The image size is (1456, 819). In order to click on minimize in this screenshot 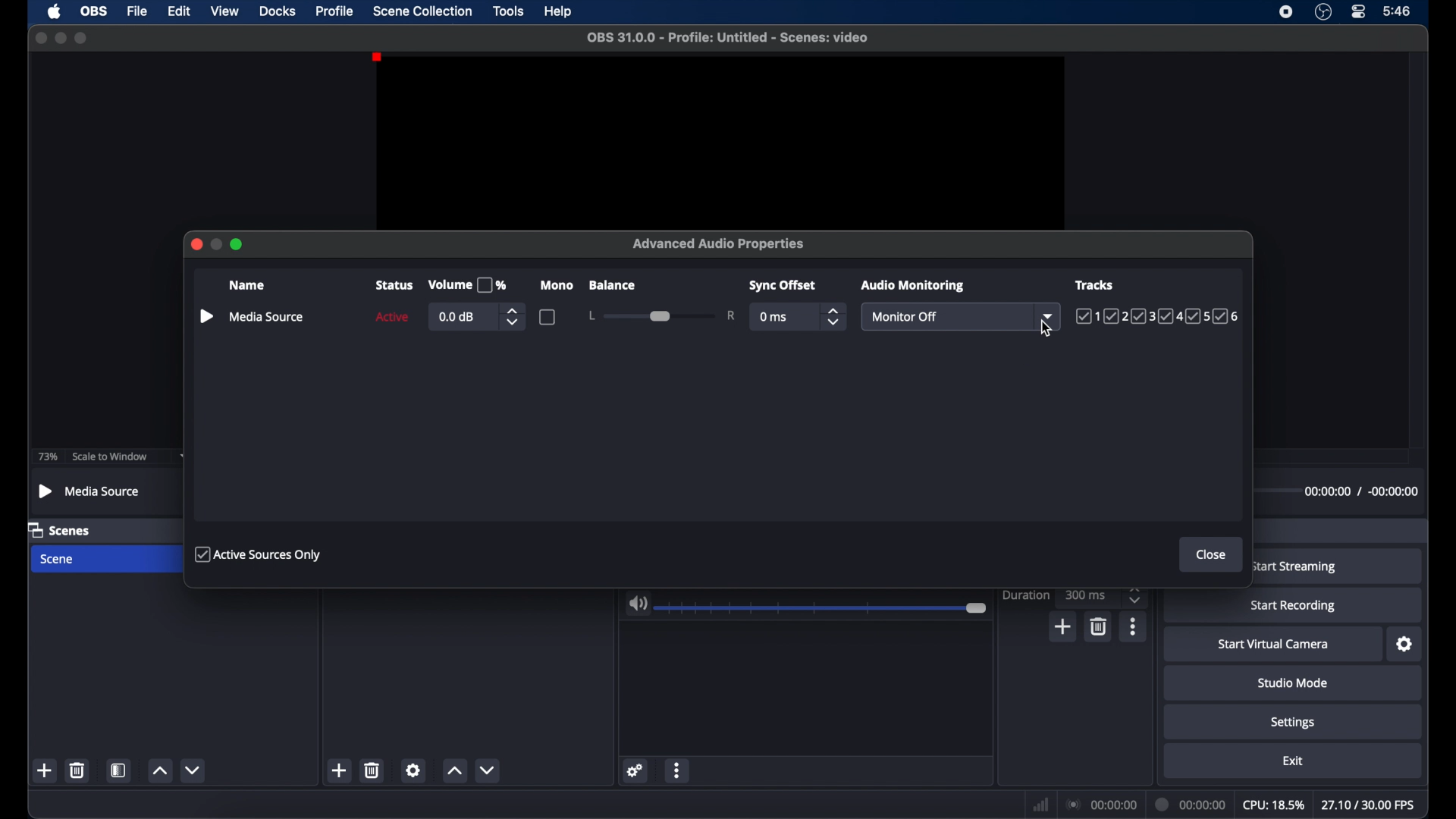, I will do `click(60, 37)`.